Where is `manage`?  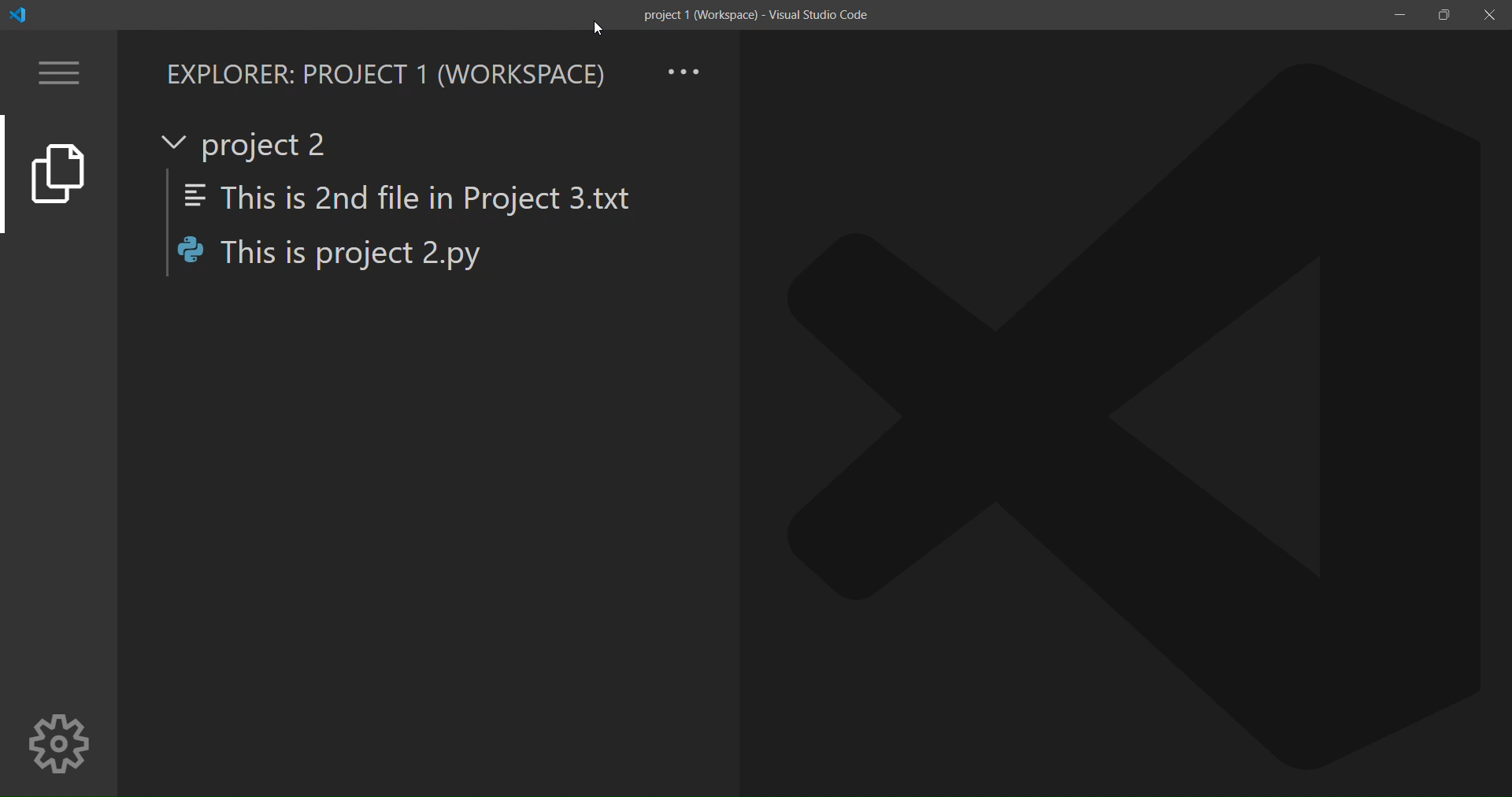
manage is located at coordinates (60, 740).